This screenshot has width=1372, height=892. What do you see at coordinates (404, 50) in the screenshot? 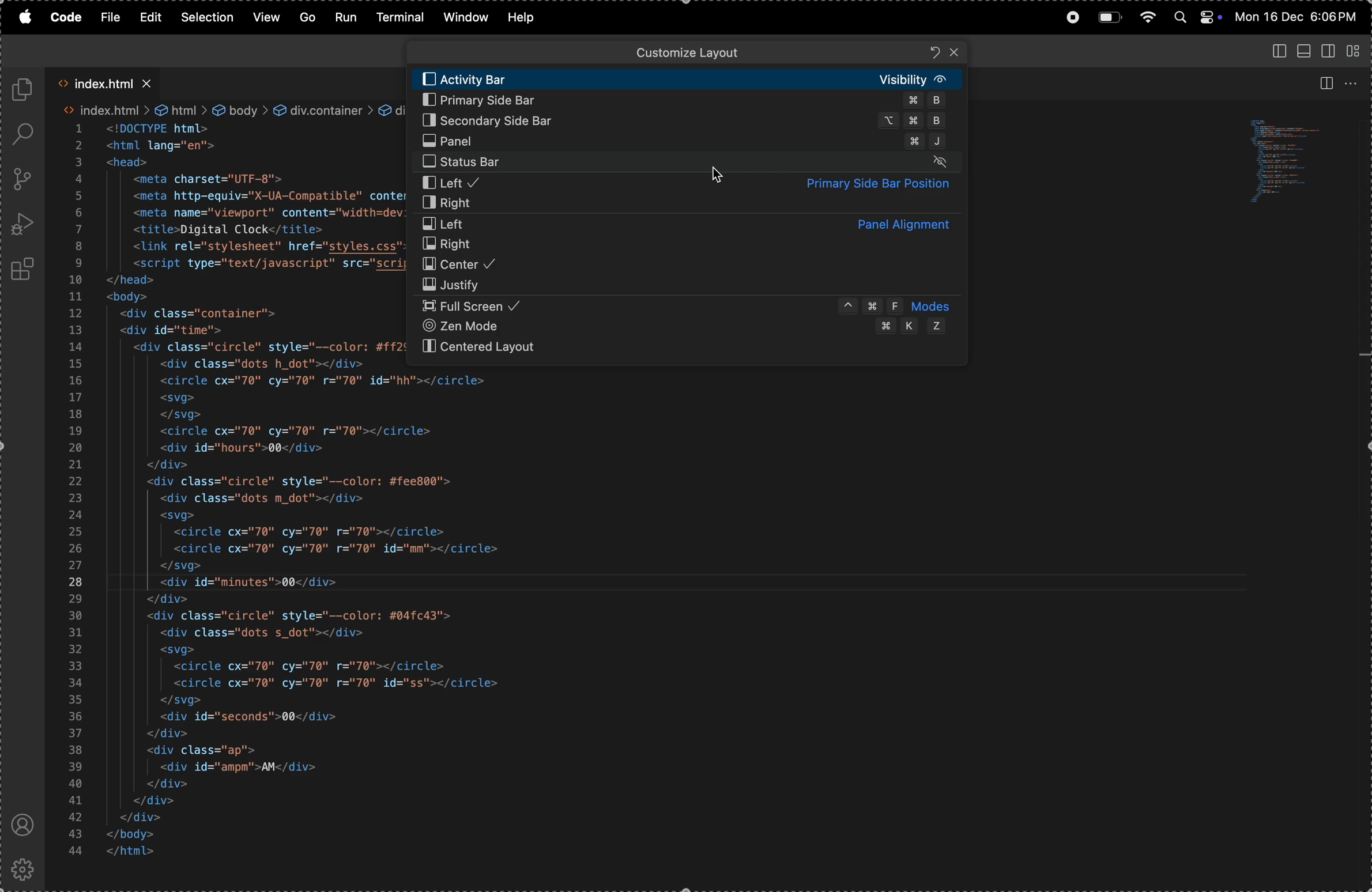
I see `back ward` at bounding box center [404, 50].